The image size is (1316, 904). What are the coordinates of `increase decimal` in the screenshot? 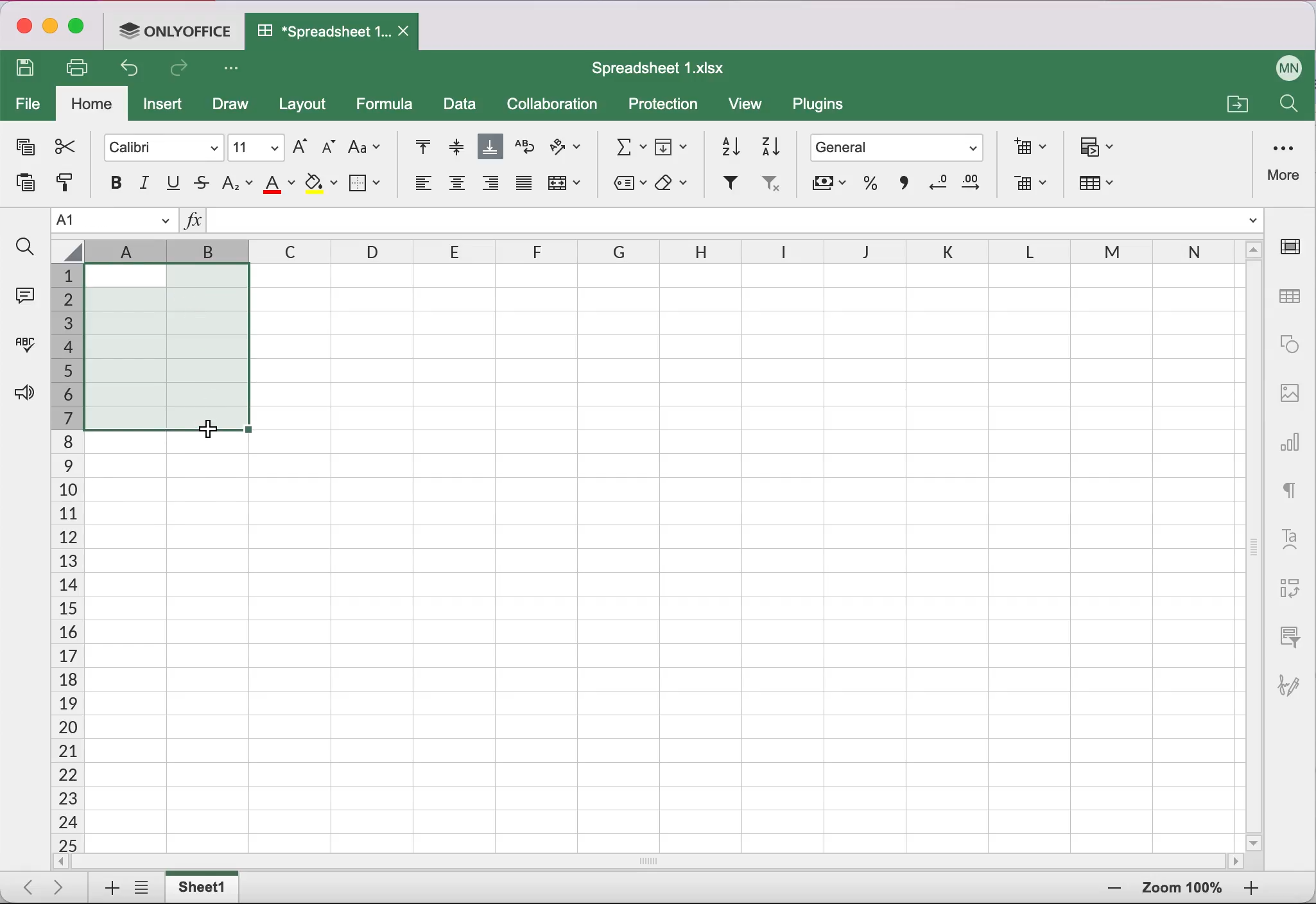 It's located at (976, 186).